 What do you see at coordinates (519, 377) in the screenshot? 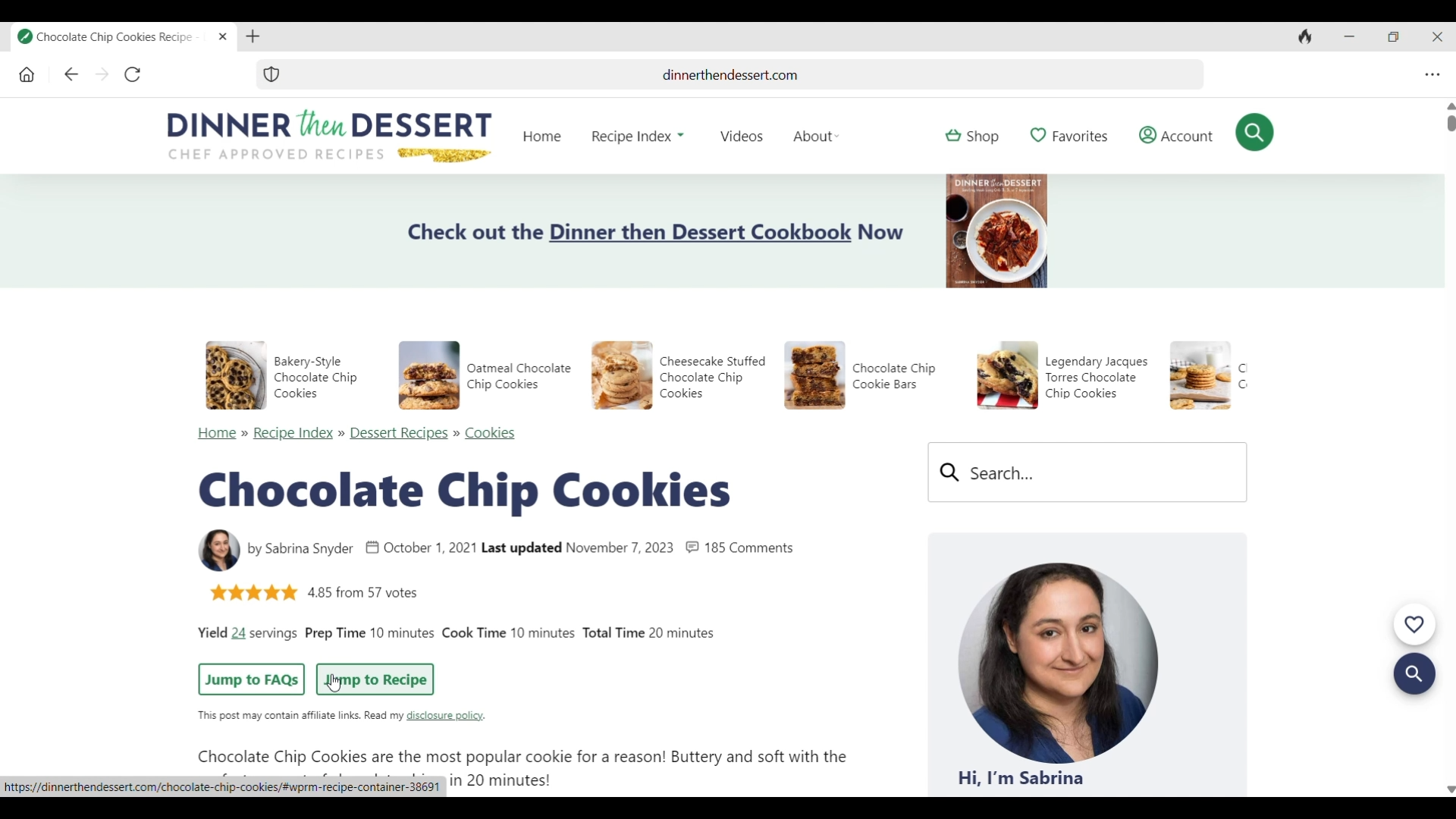
I see `Oatmeal Chocolate Chip Cookies` at bounding box center [519, 377].